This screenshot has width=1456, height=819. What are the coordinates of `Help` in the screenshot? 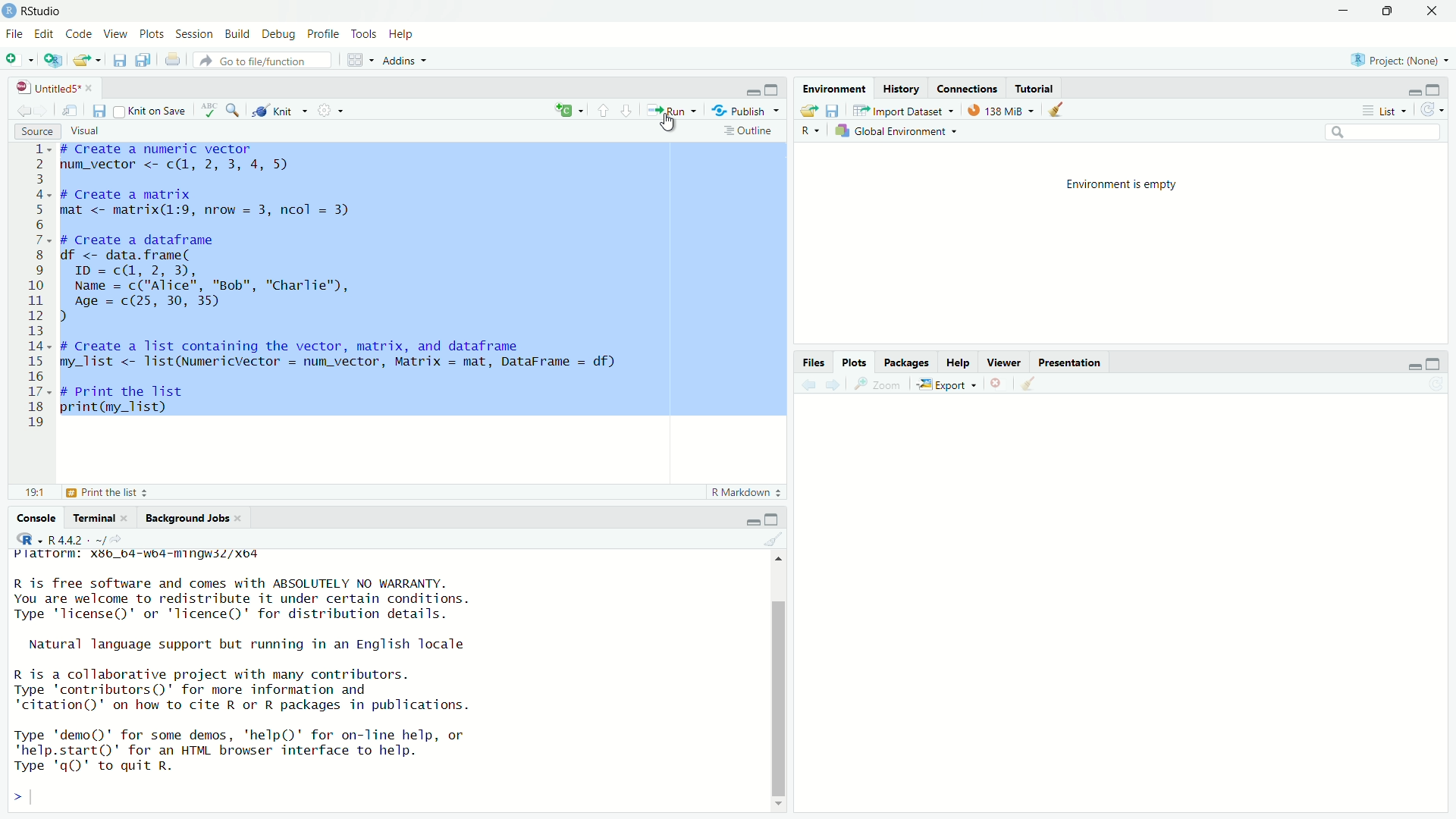 It's located at (403, 35).